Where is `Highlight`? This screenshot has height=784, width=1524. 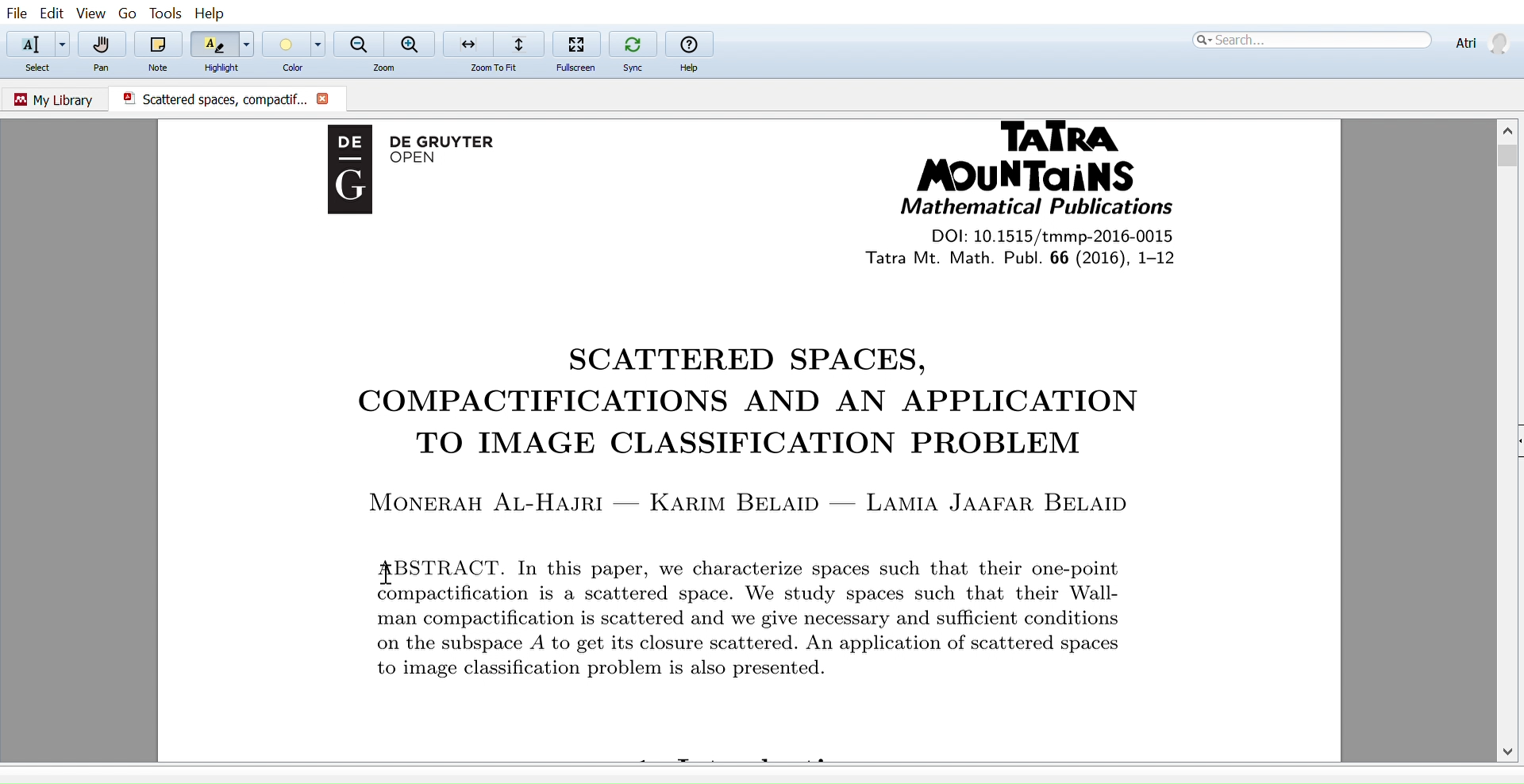 Highlight is located at coordinates (214, 44).